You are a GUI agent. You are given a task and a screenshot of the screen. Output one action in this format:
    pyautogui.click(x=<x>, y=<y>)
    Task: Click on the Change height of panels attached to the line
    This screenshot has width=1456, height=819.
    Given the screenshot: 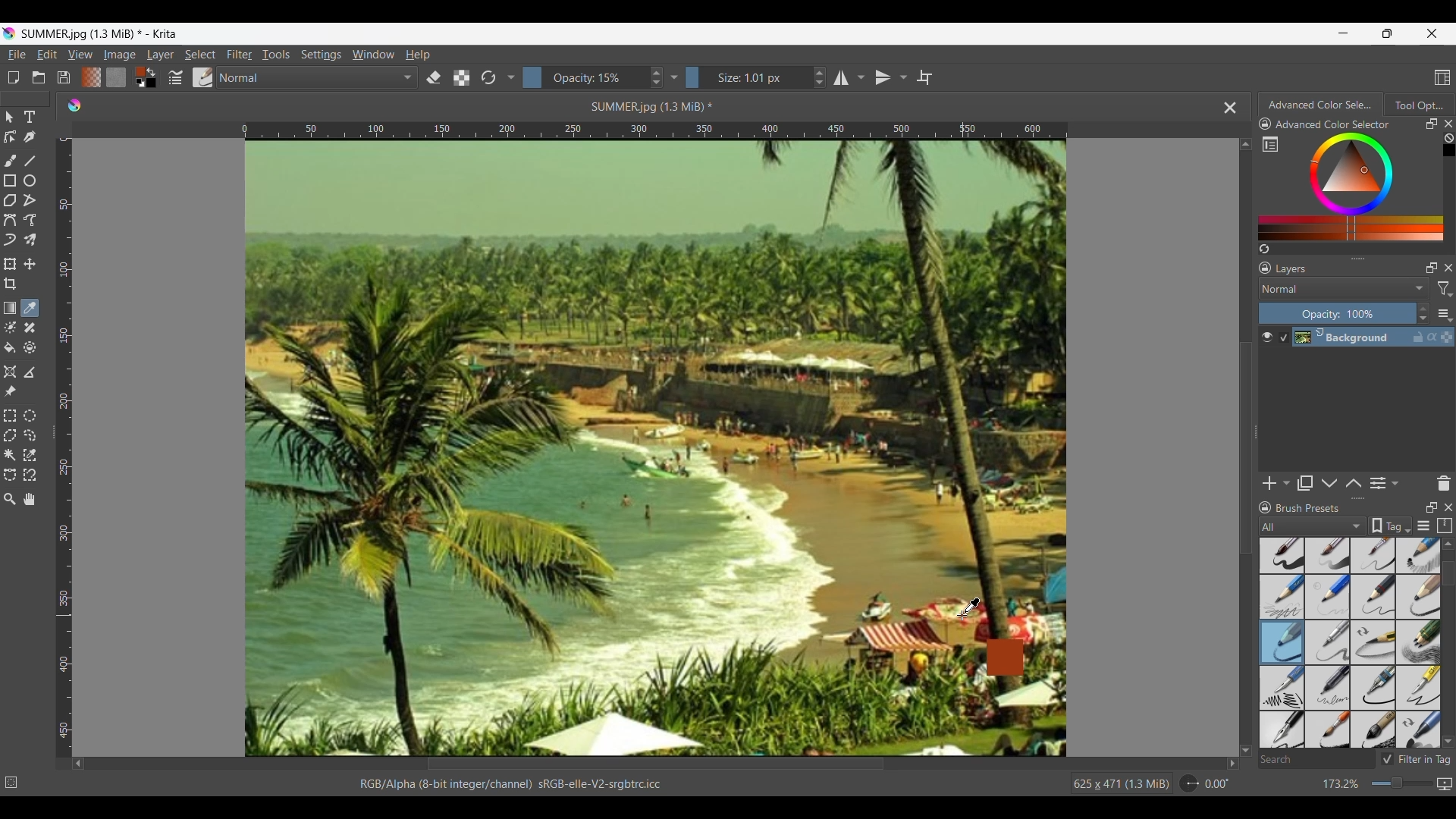 What is the action you would take?
    pyautogui.click(x=1352, y=258)
    